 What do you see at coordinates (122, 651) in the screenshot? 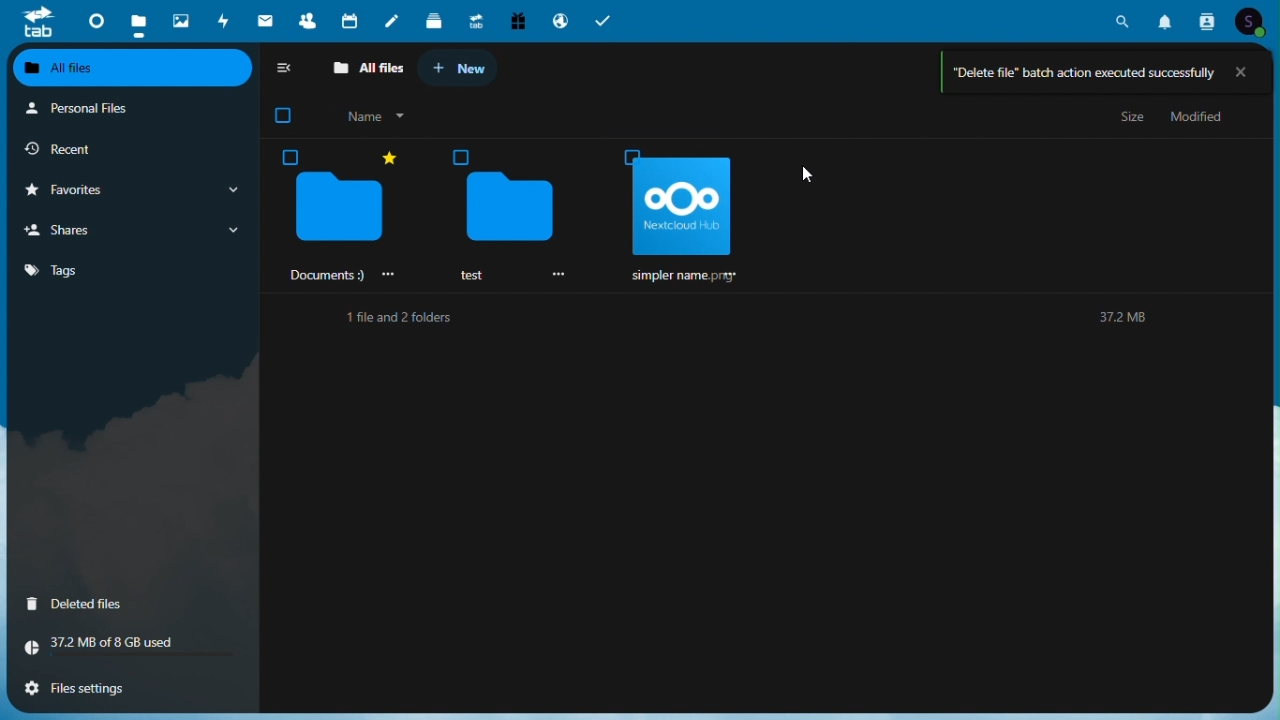
I see `Storage` at bounding box center [122, 651].